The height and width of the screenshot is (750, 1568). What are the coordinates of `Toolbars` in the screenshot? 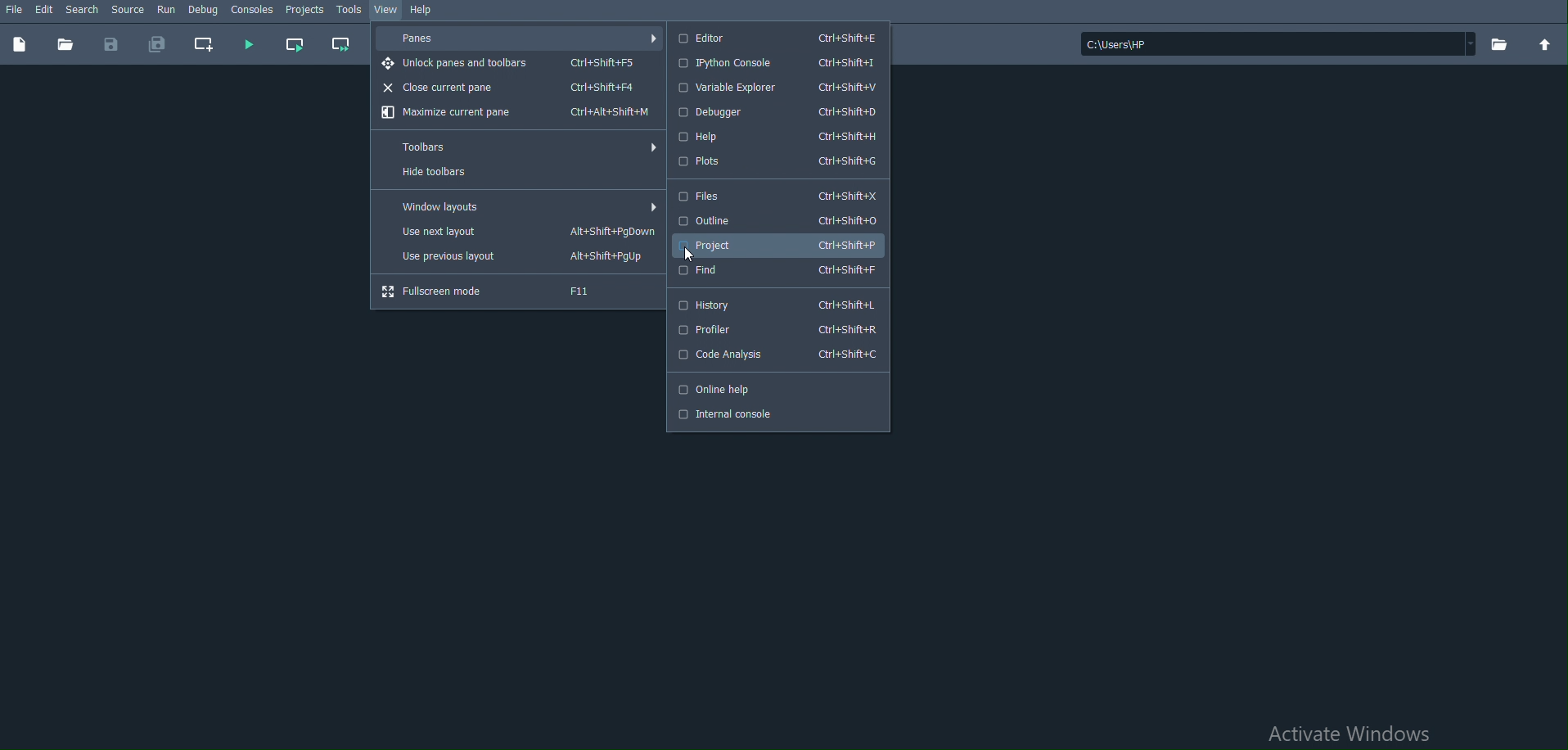 It's located at (516, 147).